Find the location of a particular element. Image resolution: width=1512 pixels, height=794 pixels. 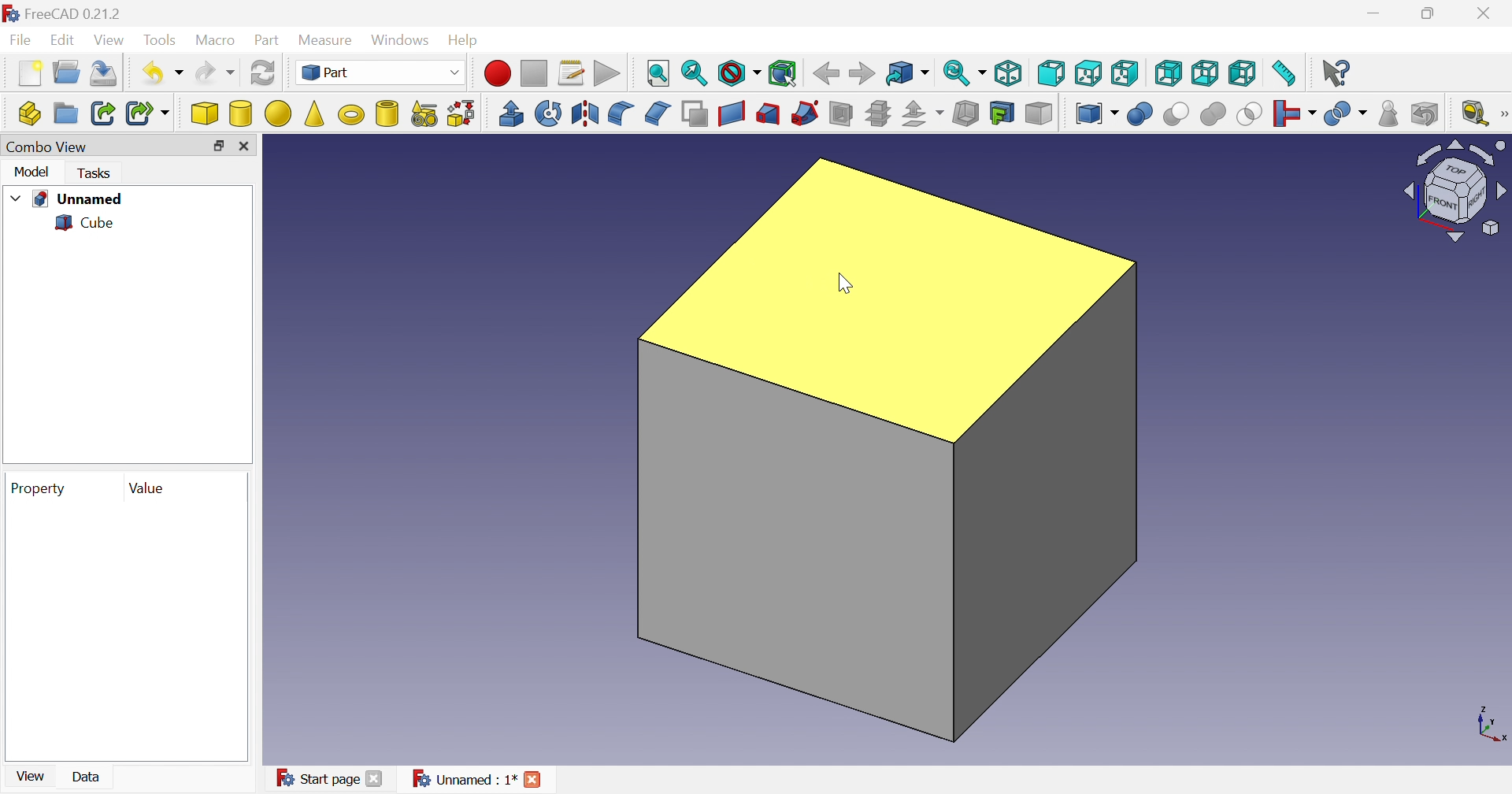

Save is located at coordinates (108, 73).